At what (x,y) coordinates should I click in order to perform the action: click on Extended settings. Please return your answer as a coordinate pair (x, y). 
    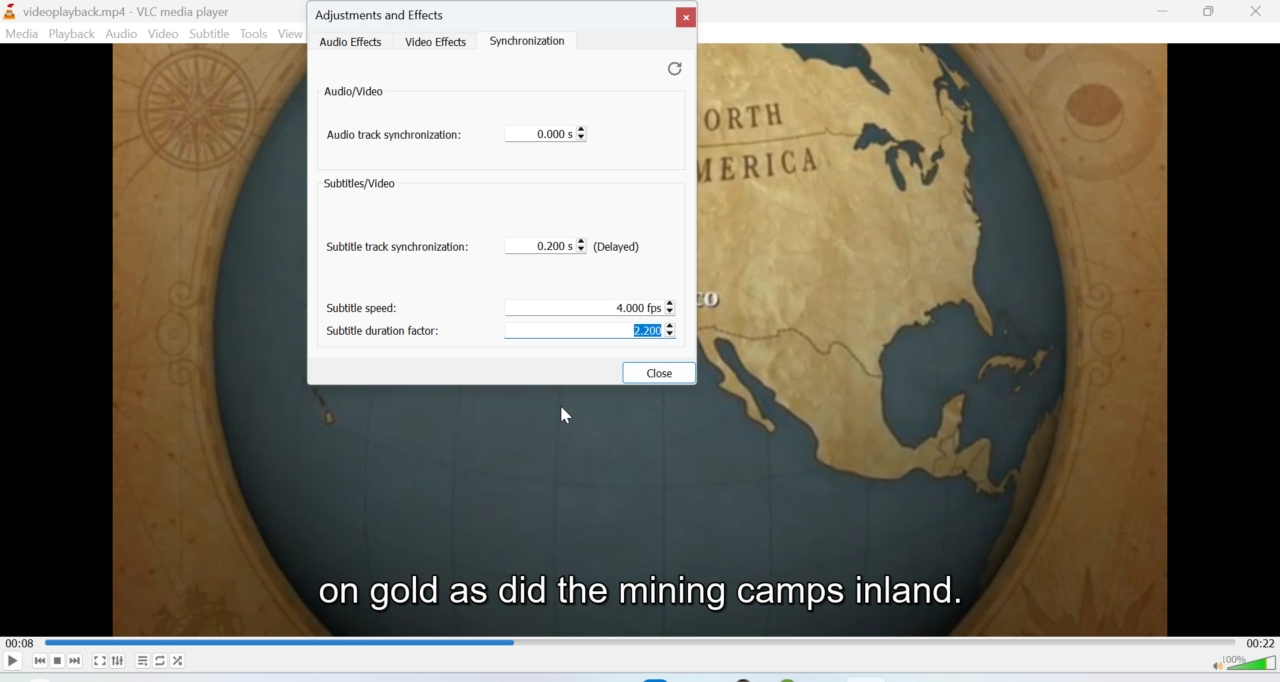
    Looking at the image, I should click on (118, 661).